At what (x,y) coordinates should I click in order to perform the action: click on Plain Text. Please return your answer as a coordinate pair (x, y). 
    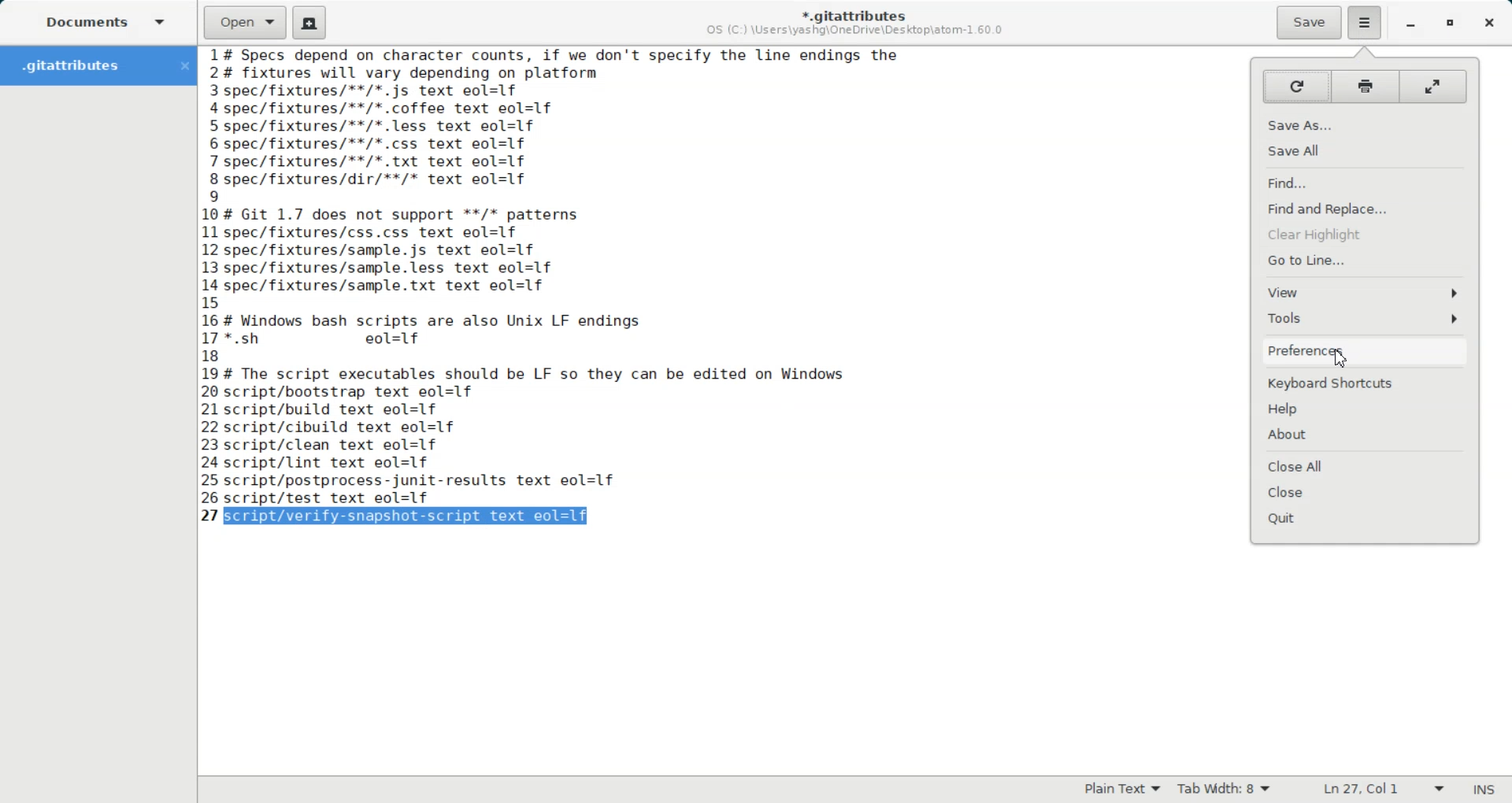
    Looking at the image, I should click on (1118, 790).